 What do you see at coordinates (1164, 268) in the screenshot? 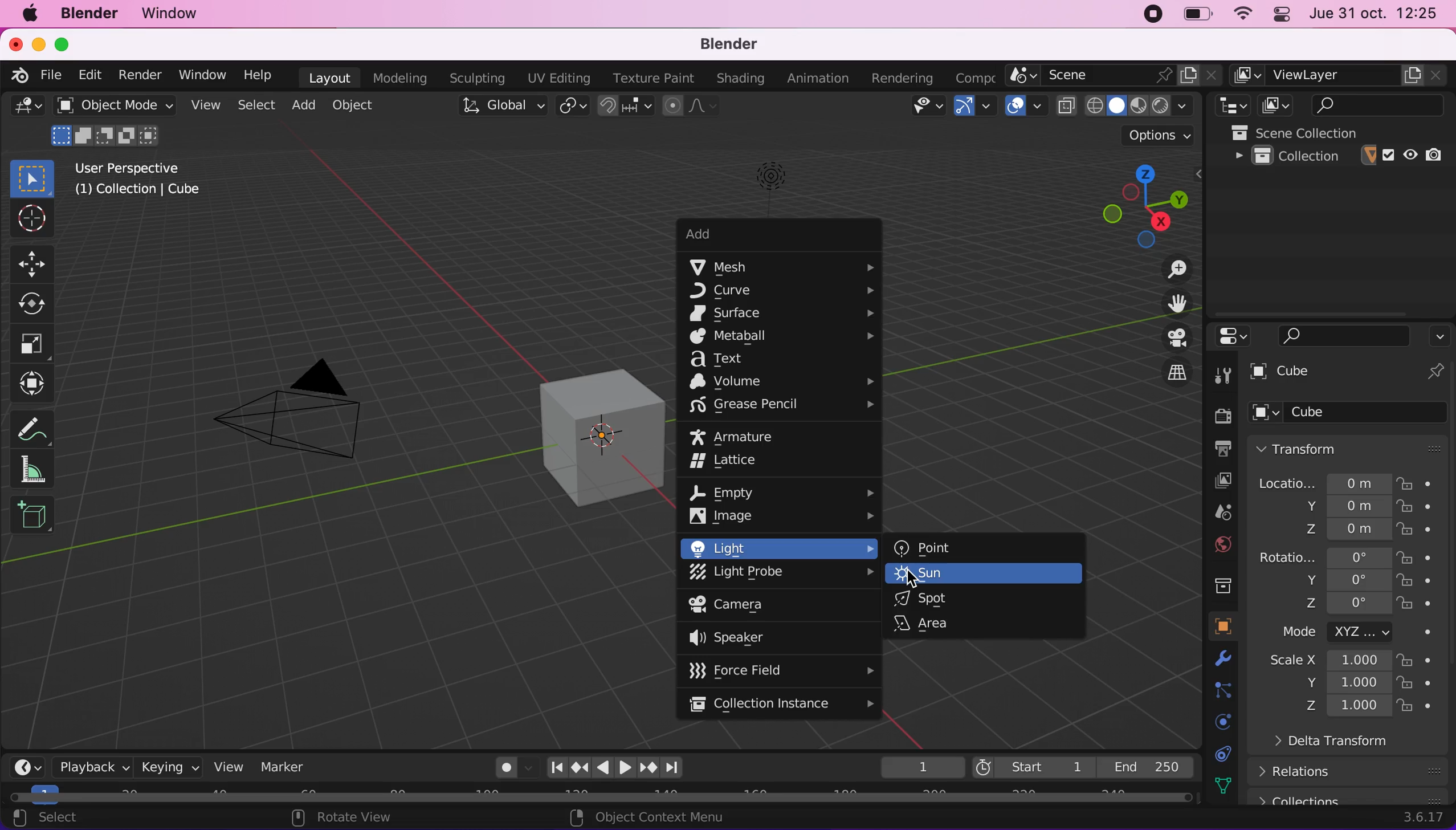
I see `zoom in/out` at bounding box center [1164, 268].